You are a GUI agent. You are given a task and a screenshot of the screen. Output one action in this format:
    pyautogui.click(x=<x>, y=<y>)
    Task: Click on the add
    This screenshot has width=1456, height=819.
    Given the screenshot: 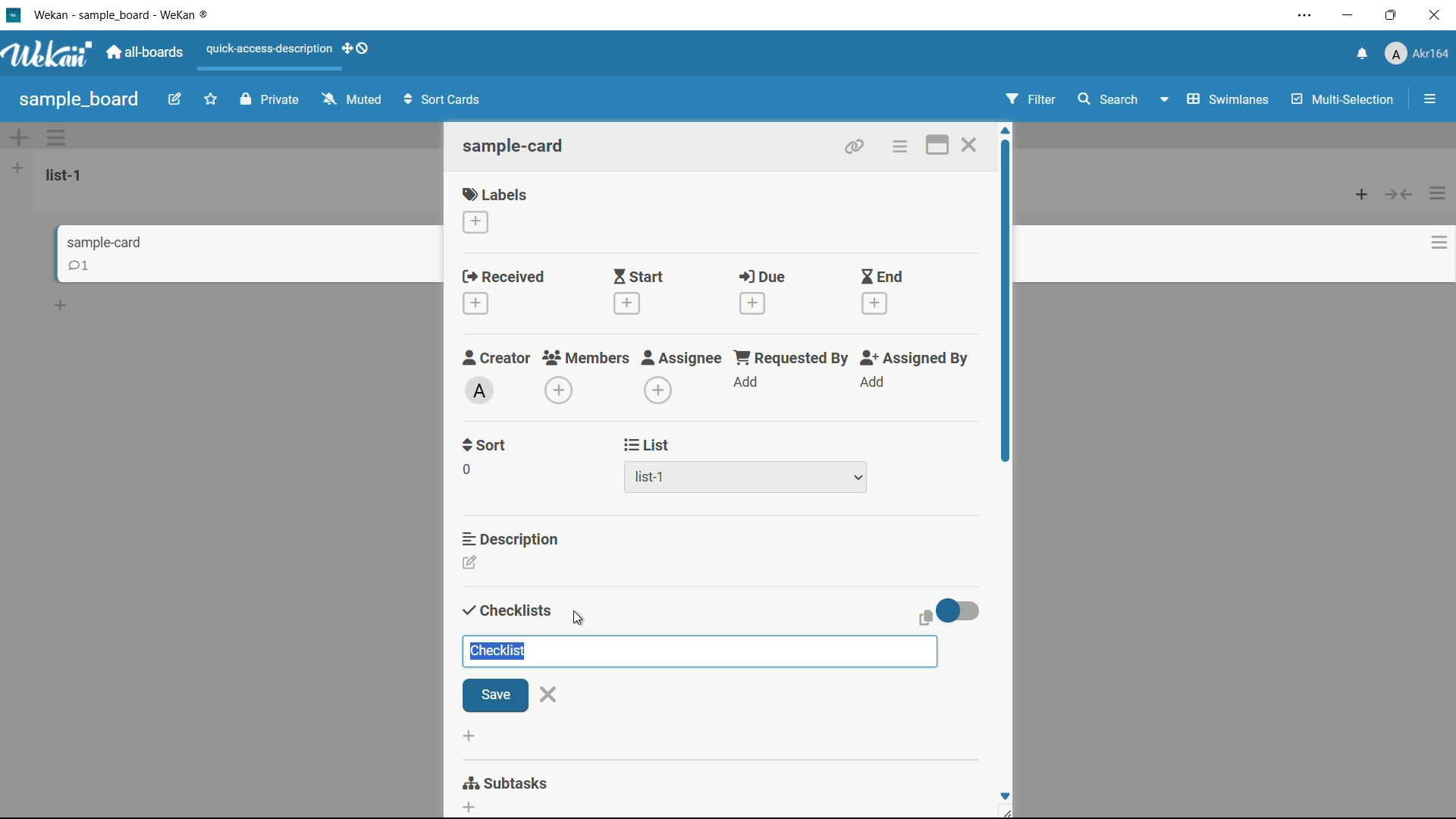 What is the action you would take?
    pyautogui.click(x=343, y=48)
    